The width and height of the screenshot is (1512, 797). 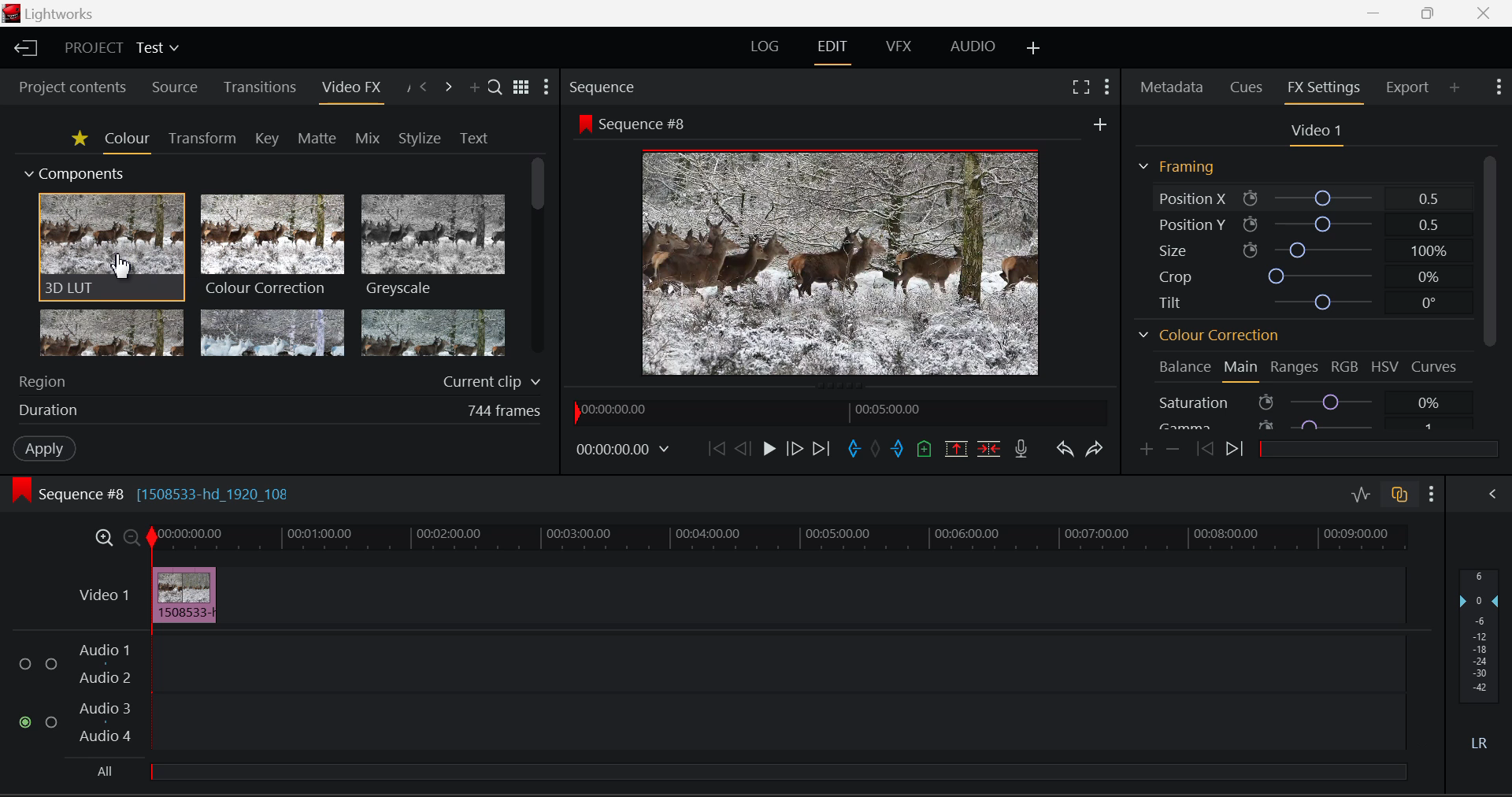 What do you see at coordinates (795, 451) in the screenshot?
I see `Go Forward` at bounding box center [795, 451].